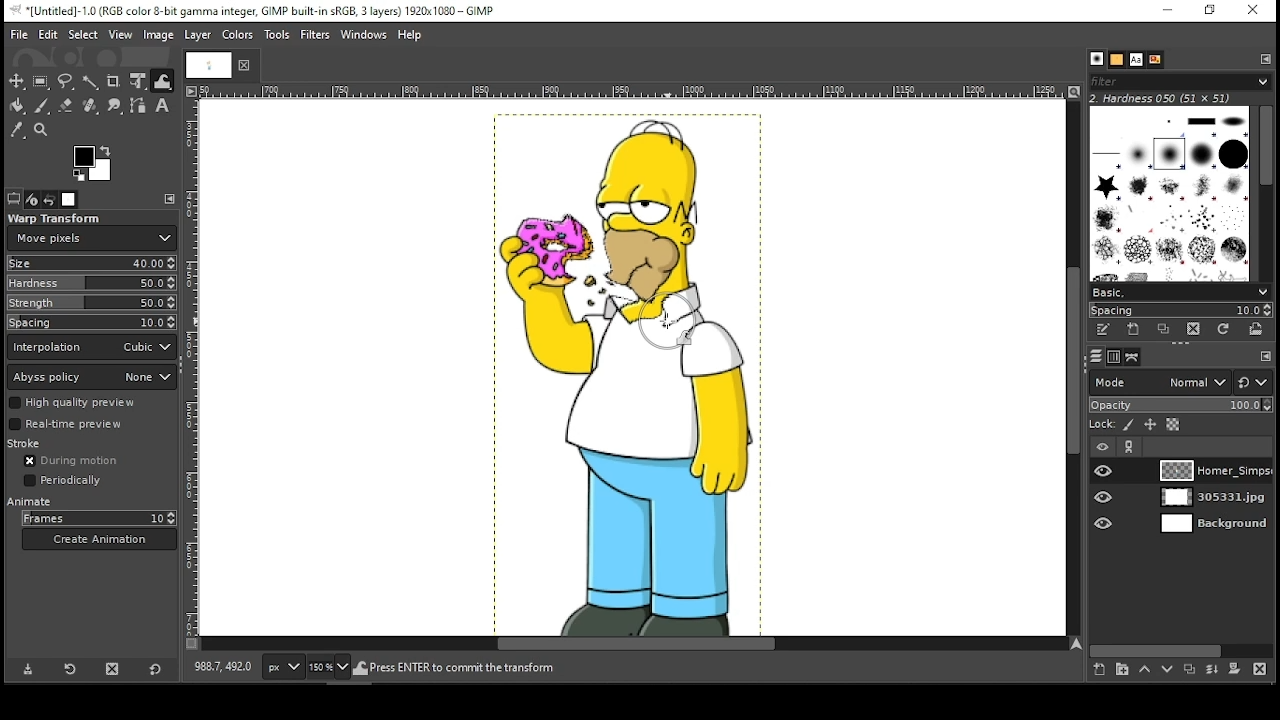 This screenshot has height=720, width=1280. I want to click on rectangular select tool, so click(43, 80).